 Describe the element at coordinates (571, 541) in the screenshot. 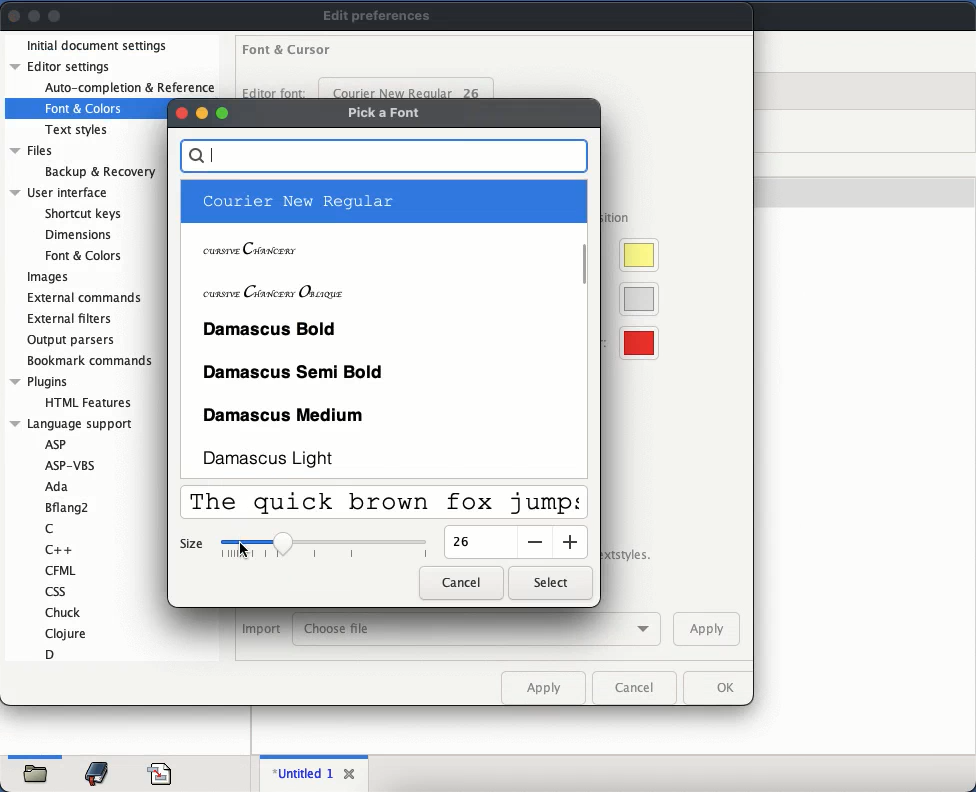

I see `increase` at that location.